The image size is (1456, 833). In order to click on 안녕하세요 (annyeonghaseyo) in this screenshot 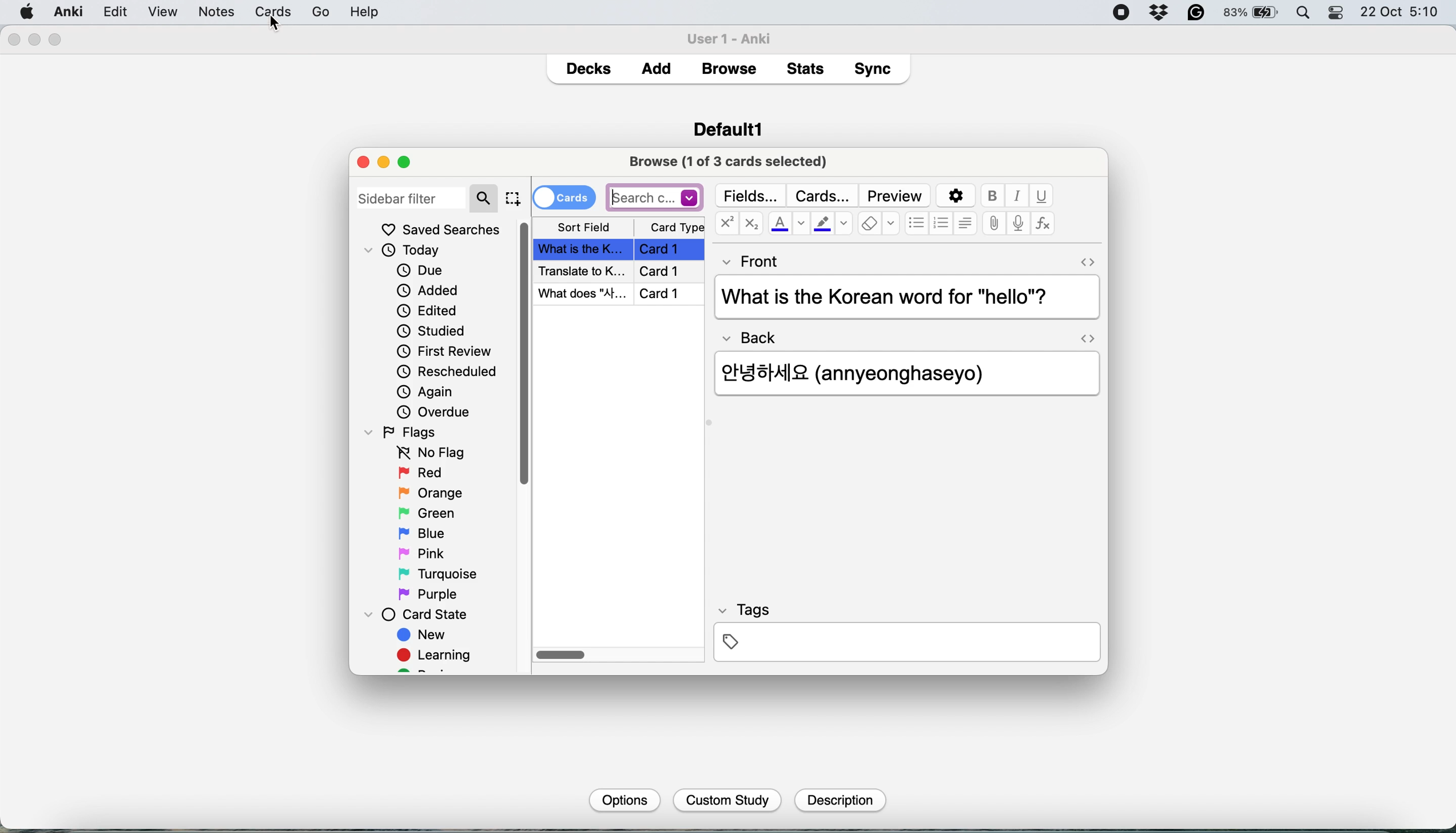, I will do `click(869, 371)`.